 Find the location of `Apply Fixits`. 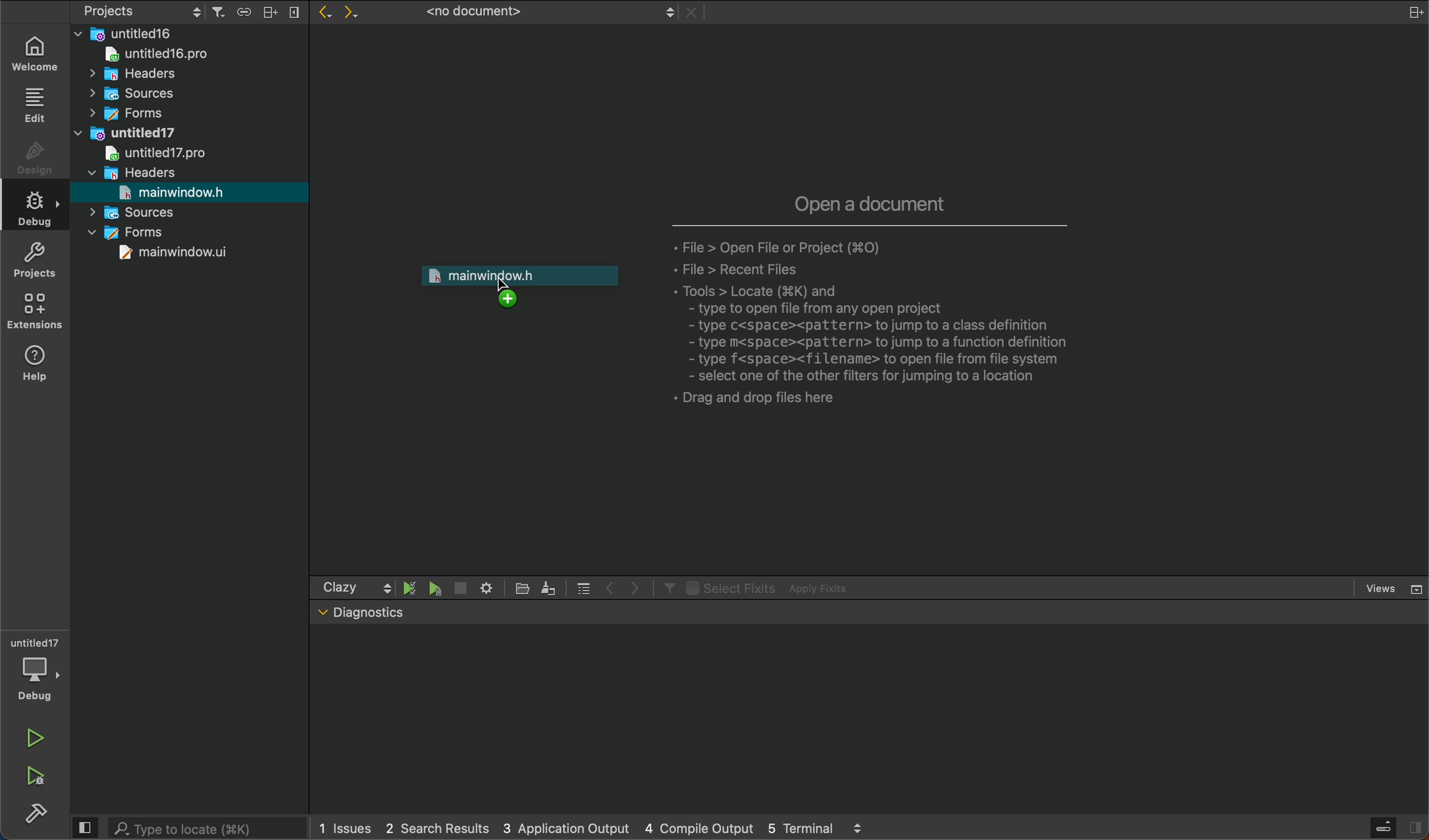

Apply Fixits is located at coordinates (822, 588).